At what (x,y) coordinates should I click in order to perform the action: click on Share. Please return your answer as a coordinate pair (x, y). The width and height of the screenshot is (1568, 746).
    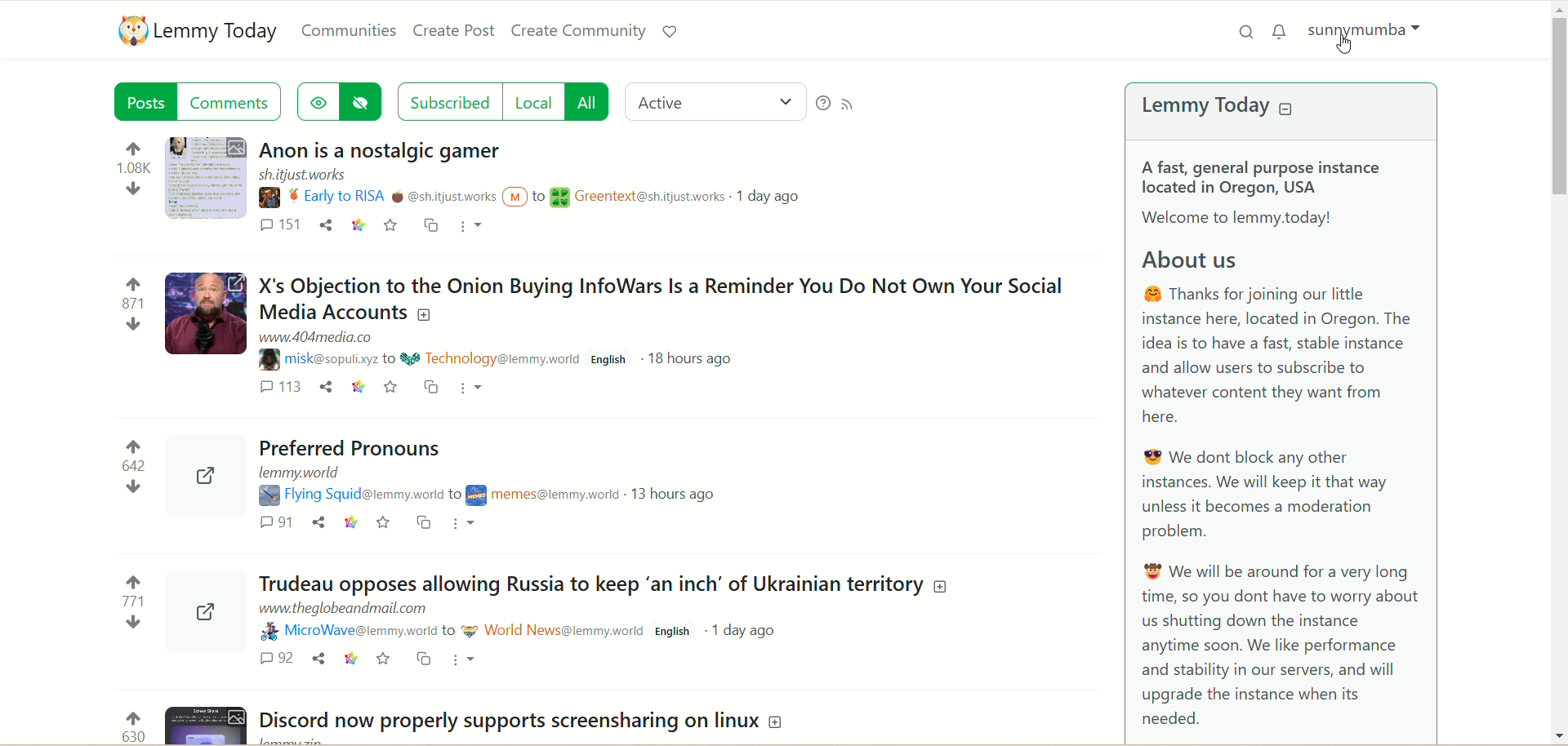
    Looking at the image, I should click on (318, 659).